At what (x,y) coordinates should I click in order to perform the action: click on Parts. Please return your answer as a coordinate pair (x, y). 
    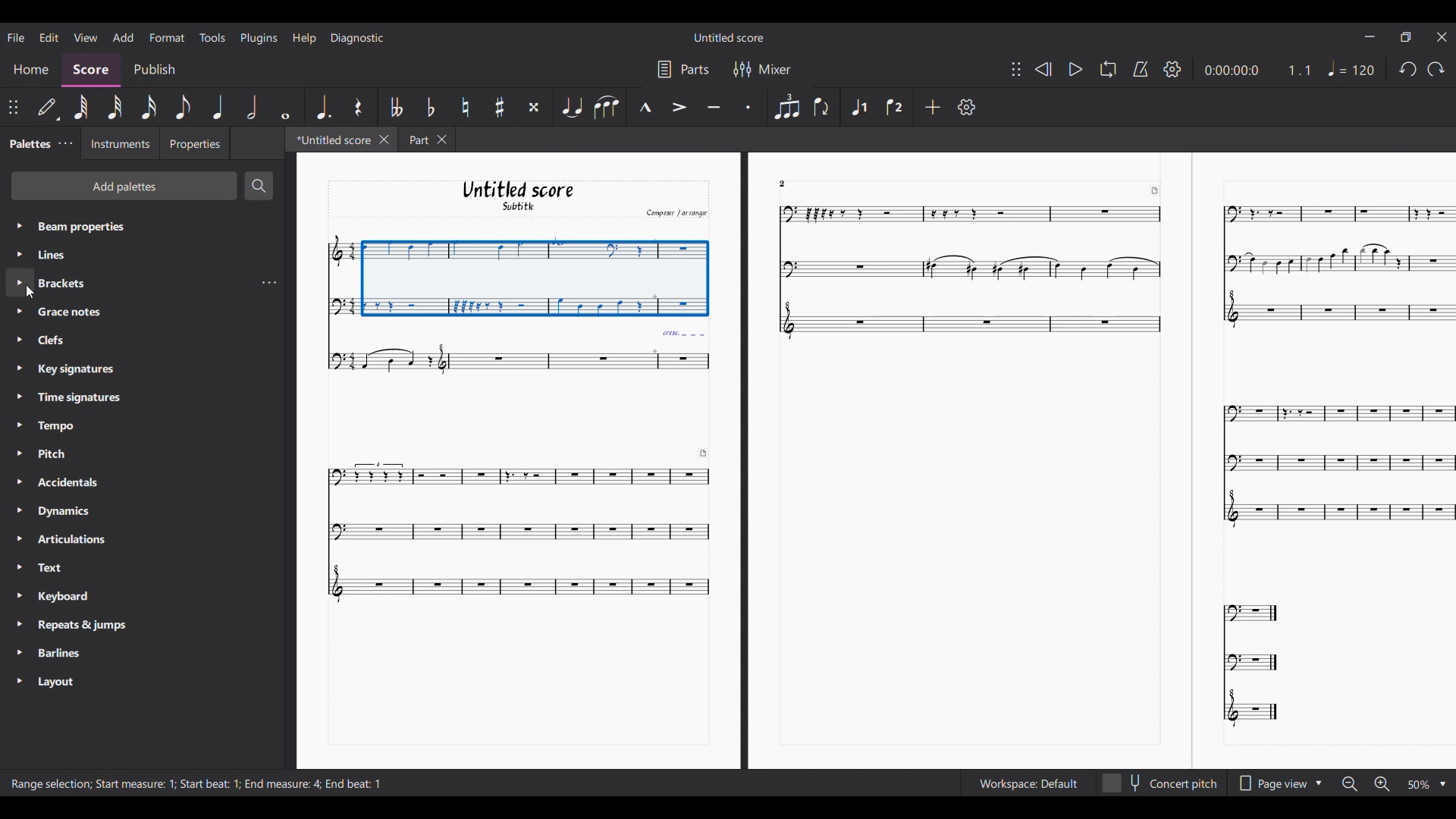
    Looking at the image, I should click on (695, 69).